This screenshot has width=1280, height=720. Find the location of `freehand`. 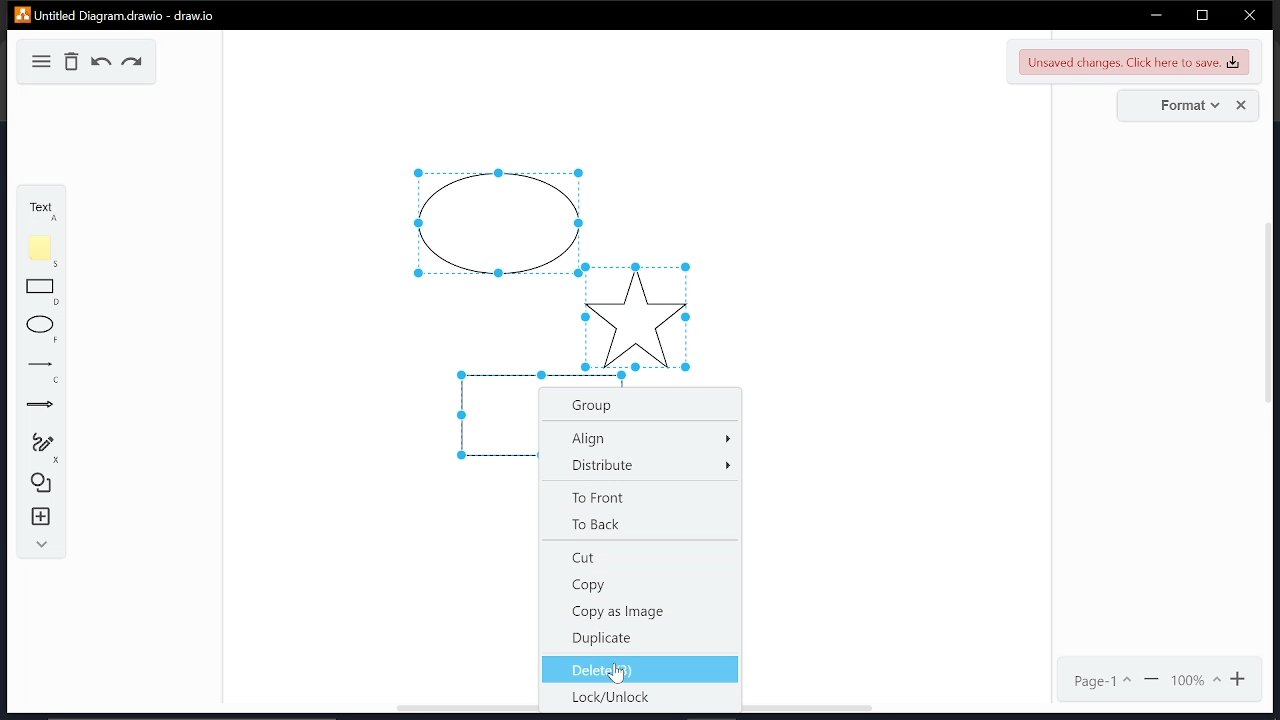

freehand is located at coordinates (42, 447).